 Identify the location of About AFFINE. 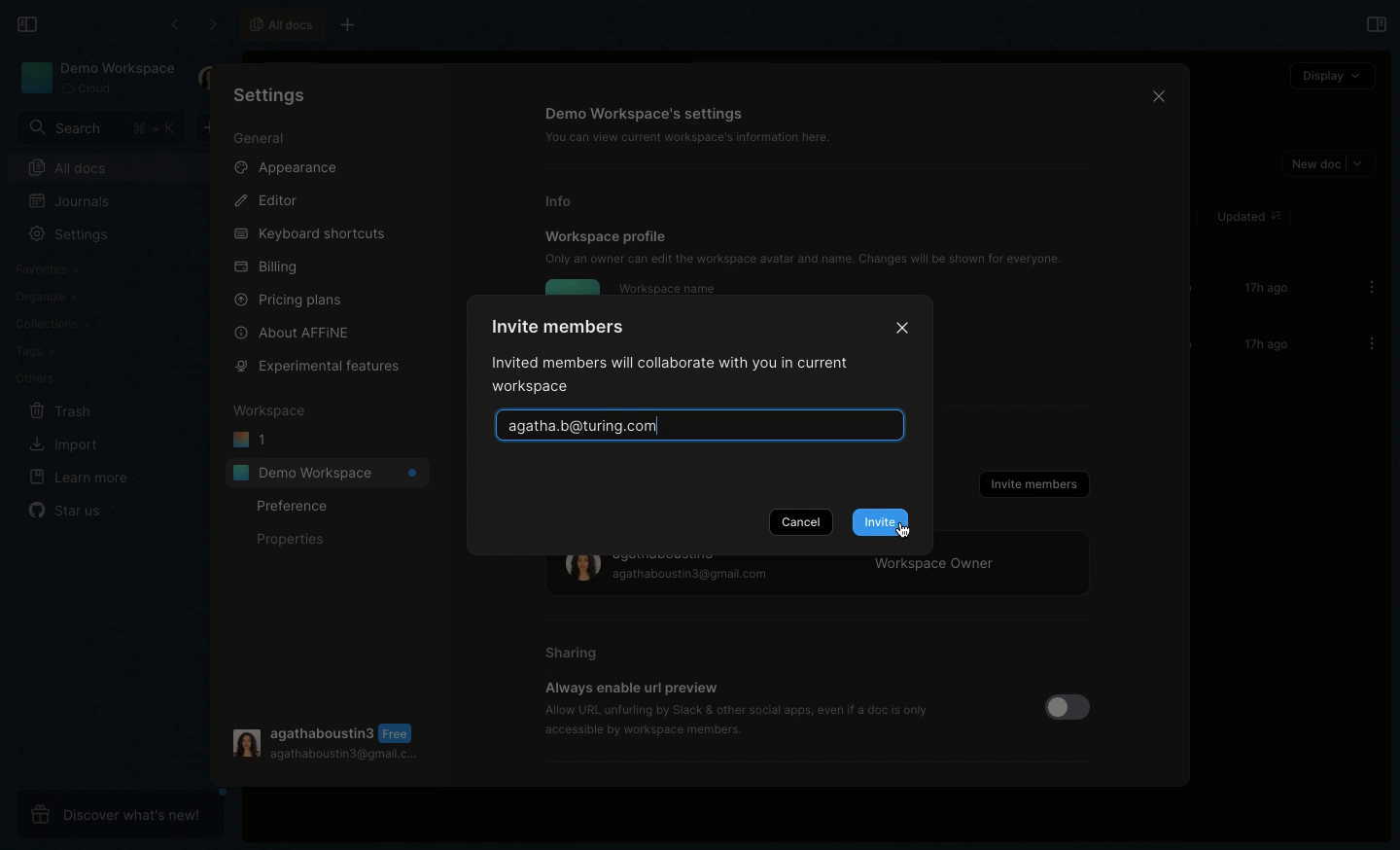
(296, 333).